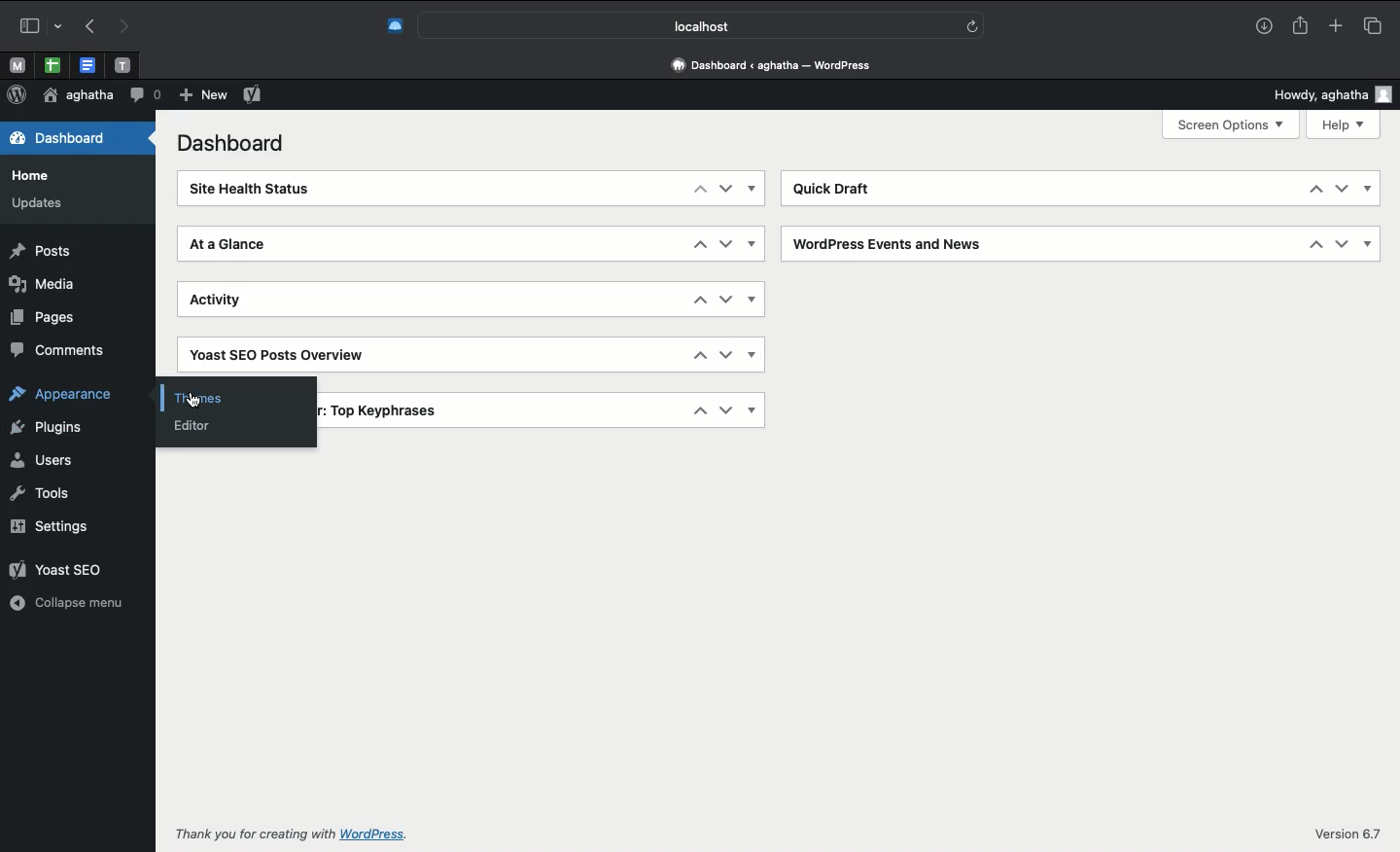 The height and width of the screenshot is (852, 1400). Describe the element at coordinates (60, 572) in the screenshot. I see `Yoast SEO` at that location.